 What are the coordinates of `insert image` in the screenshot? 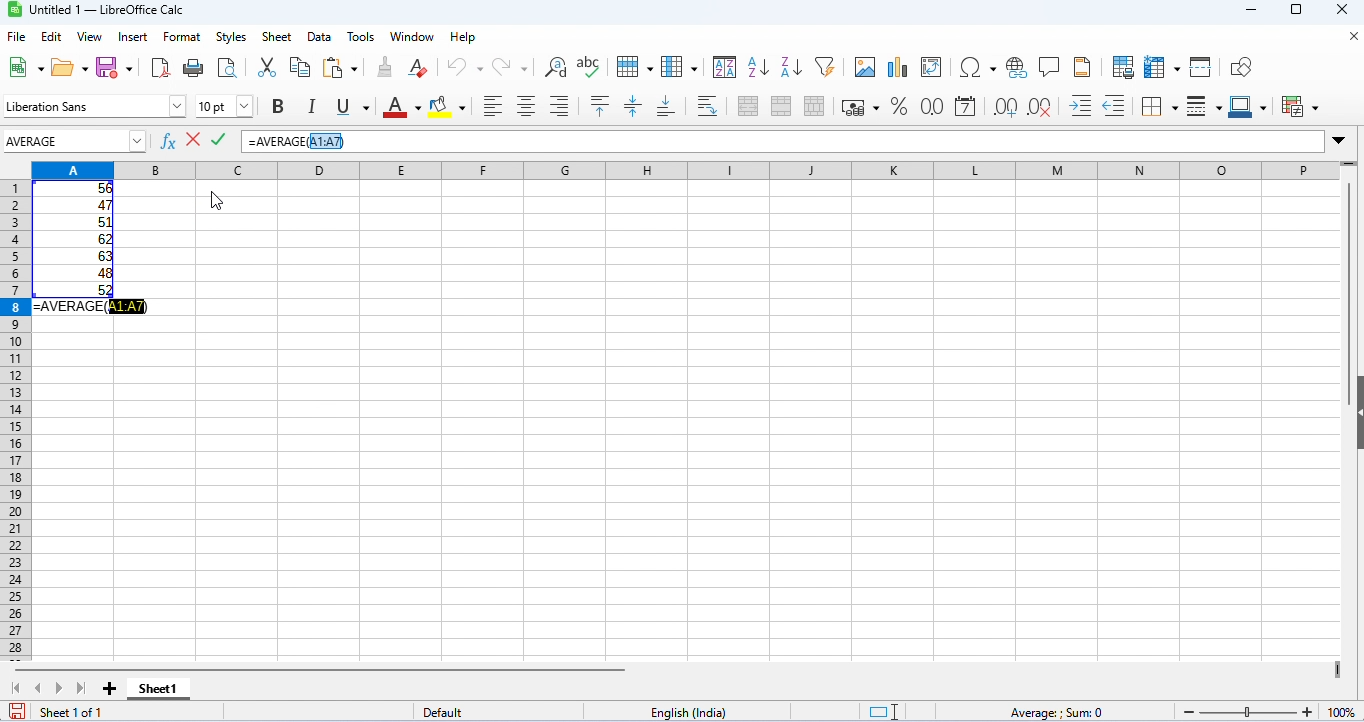 It's located at (864, 67).